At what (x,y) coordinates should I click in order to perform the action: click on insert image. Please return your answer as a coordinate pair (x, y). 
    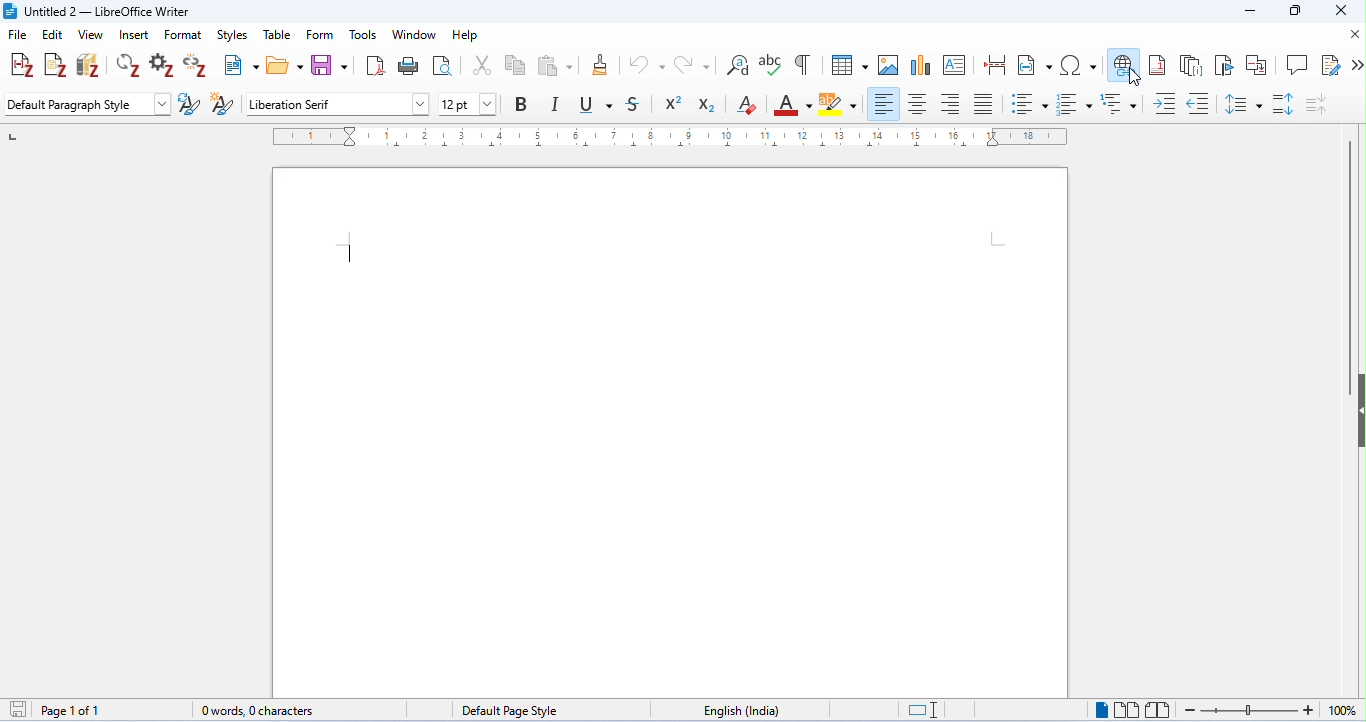
    Looking at the image, I should click on (890, 64).